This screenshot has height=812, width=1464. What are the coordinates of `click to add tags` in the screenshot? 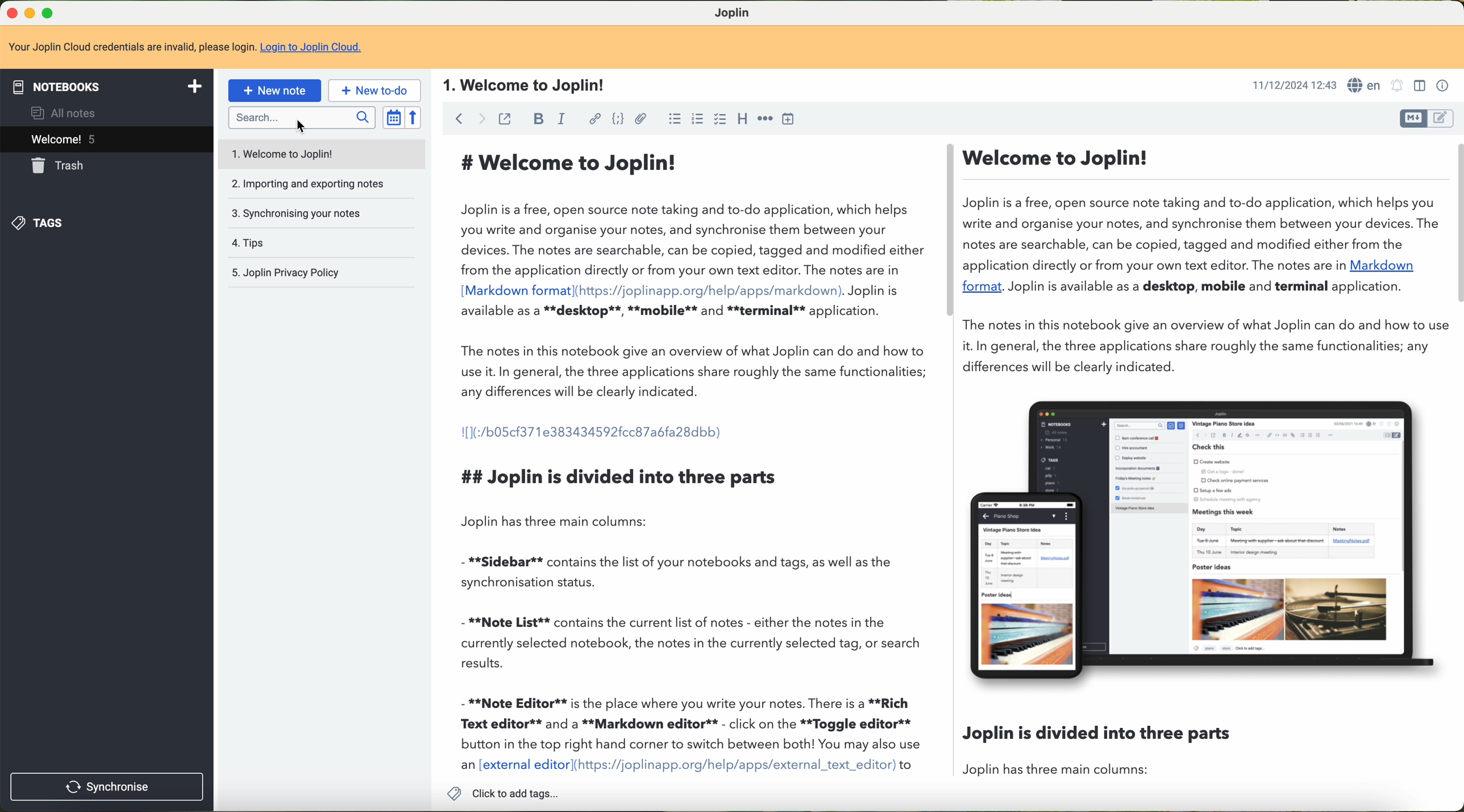 It's located at (507, 792).